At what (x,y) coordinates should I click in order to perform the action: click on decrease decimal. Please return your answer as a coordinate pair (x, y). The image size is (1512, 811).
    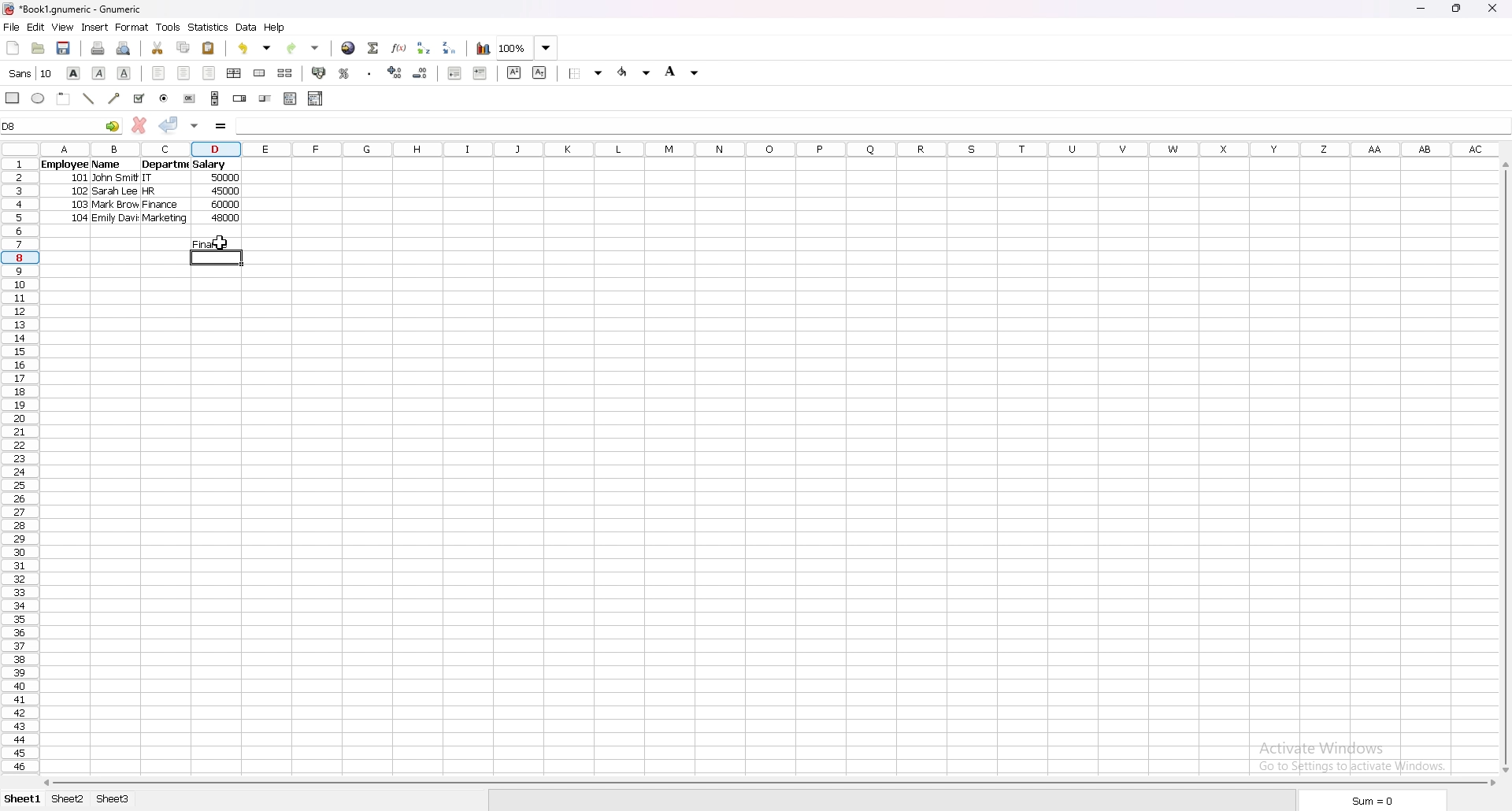
    Looking at the image, I should click on (421, 73).